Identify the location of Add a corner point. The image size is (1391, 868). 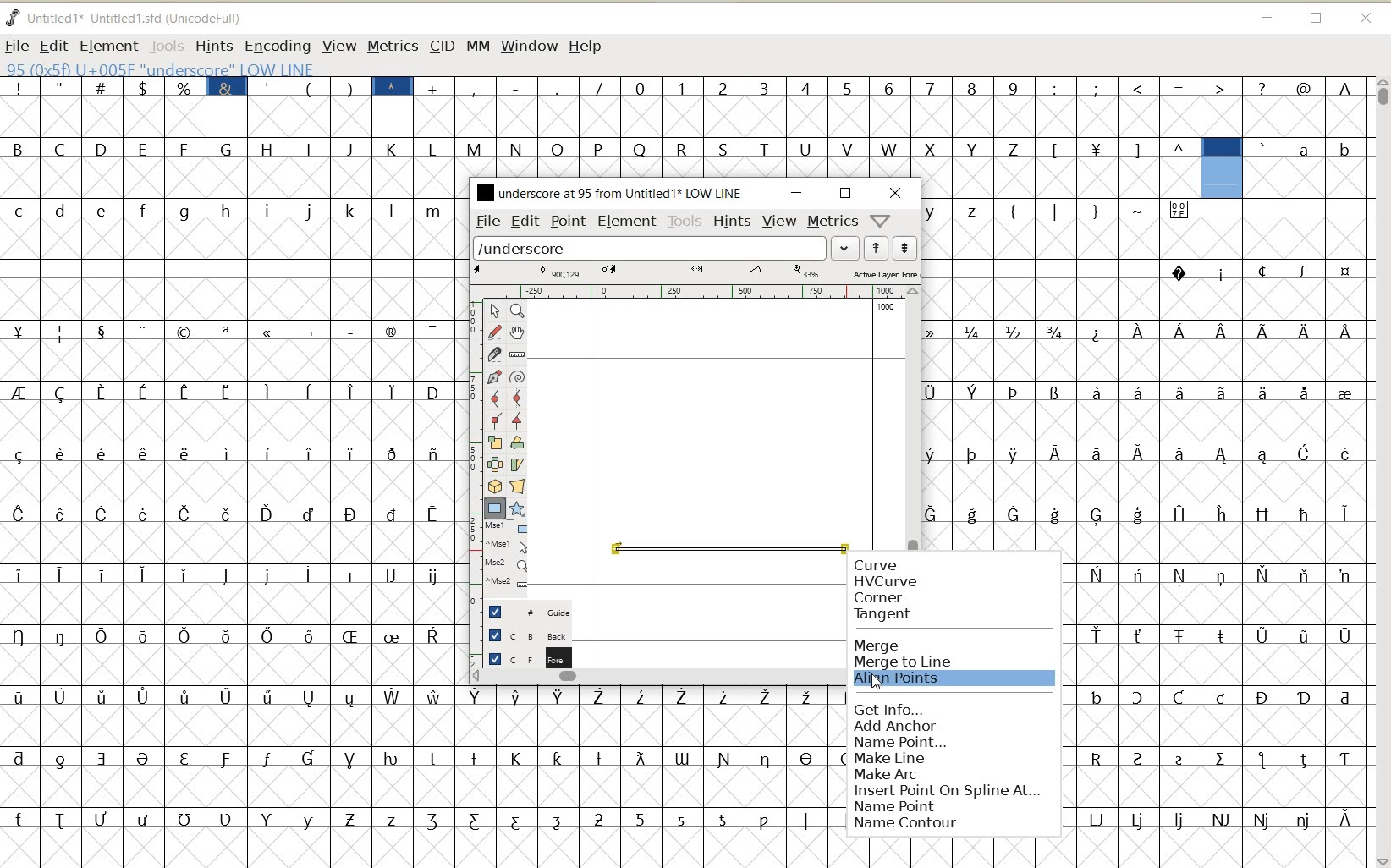
(496, 420).